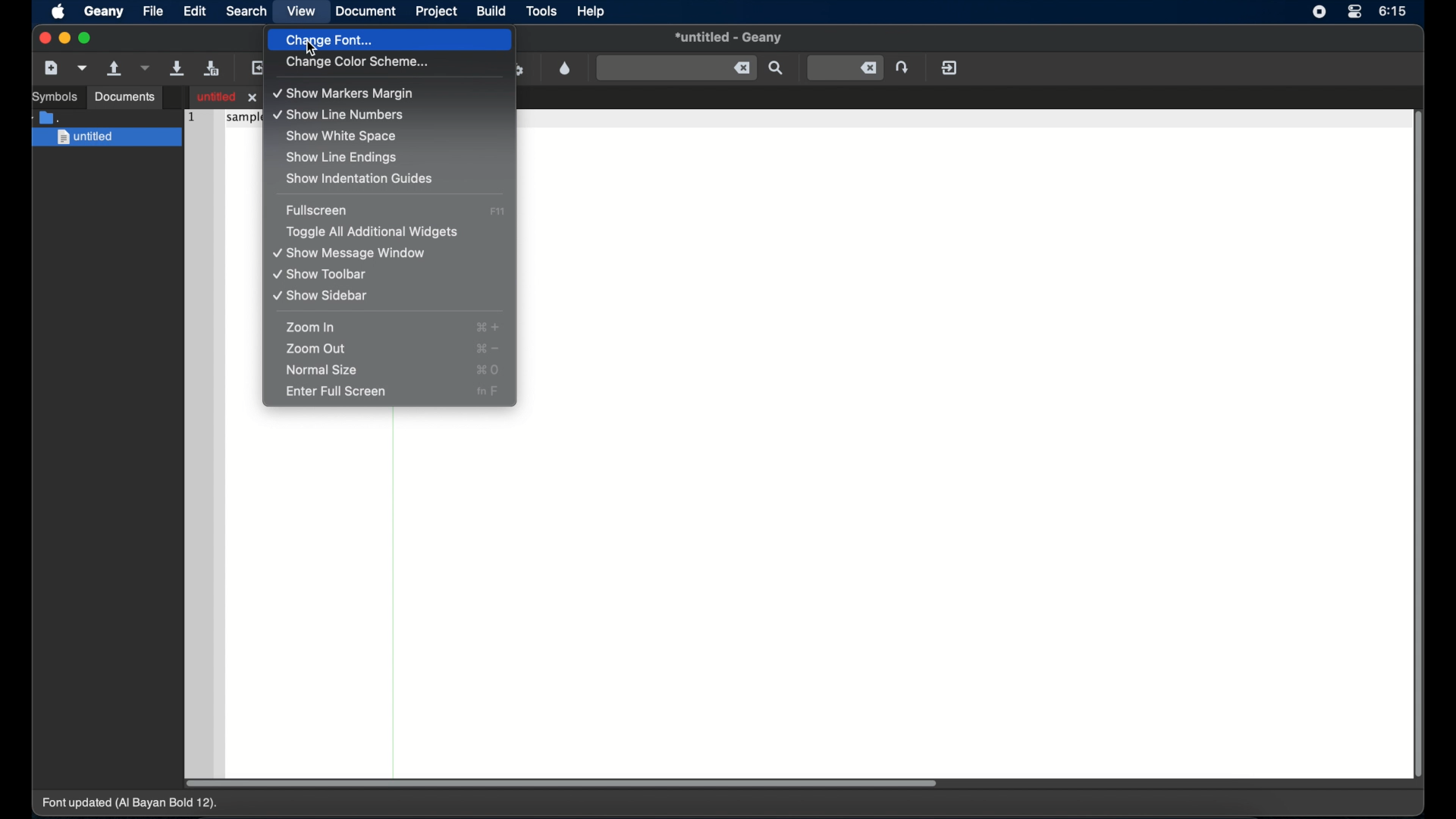 The image size is (1456, 819). Describe the element at coordinates (65, 38) in the screenshot. I see `minimize` at that location.